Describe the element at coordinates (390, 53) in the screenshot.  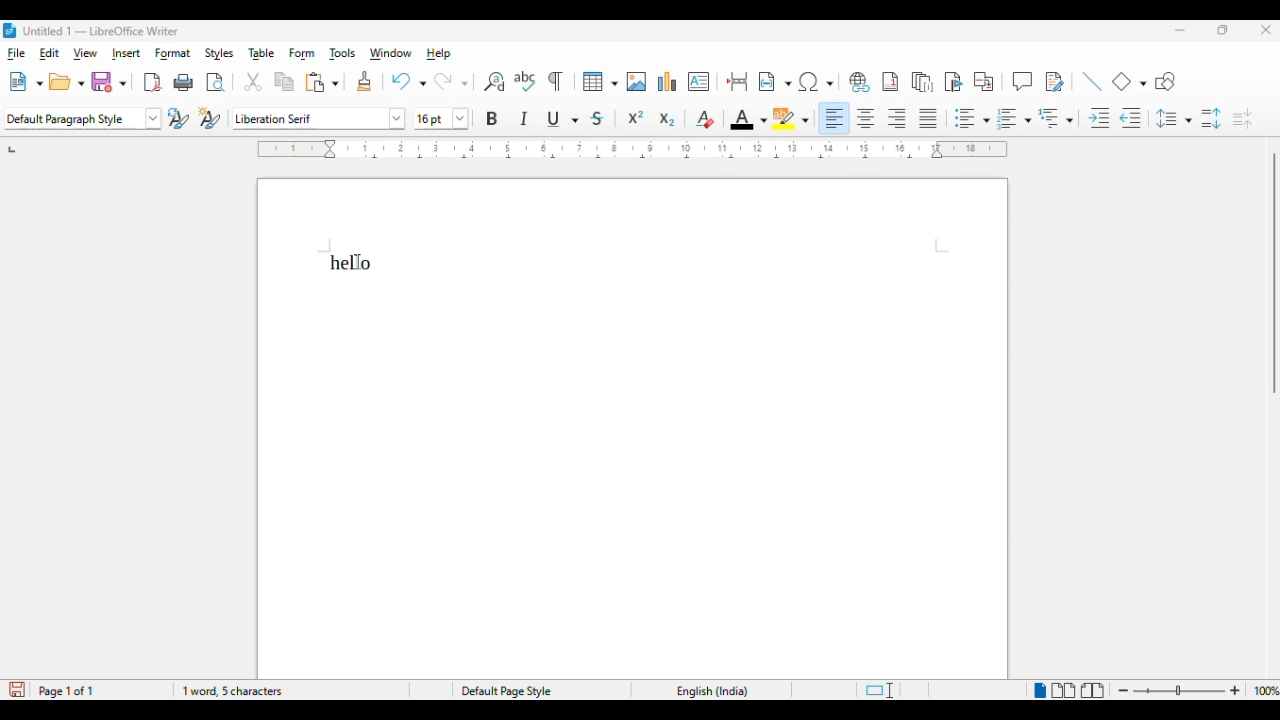
I see `window` at that location.